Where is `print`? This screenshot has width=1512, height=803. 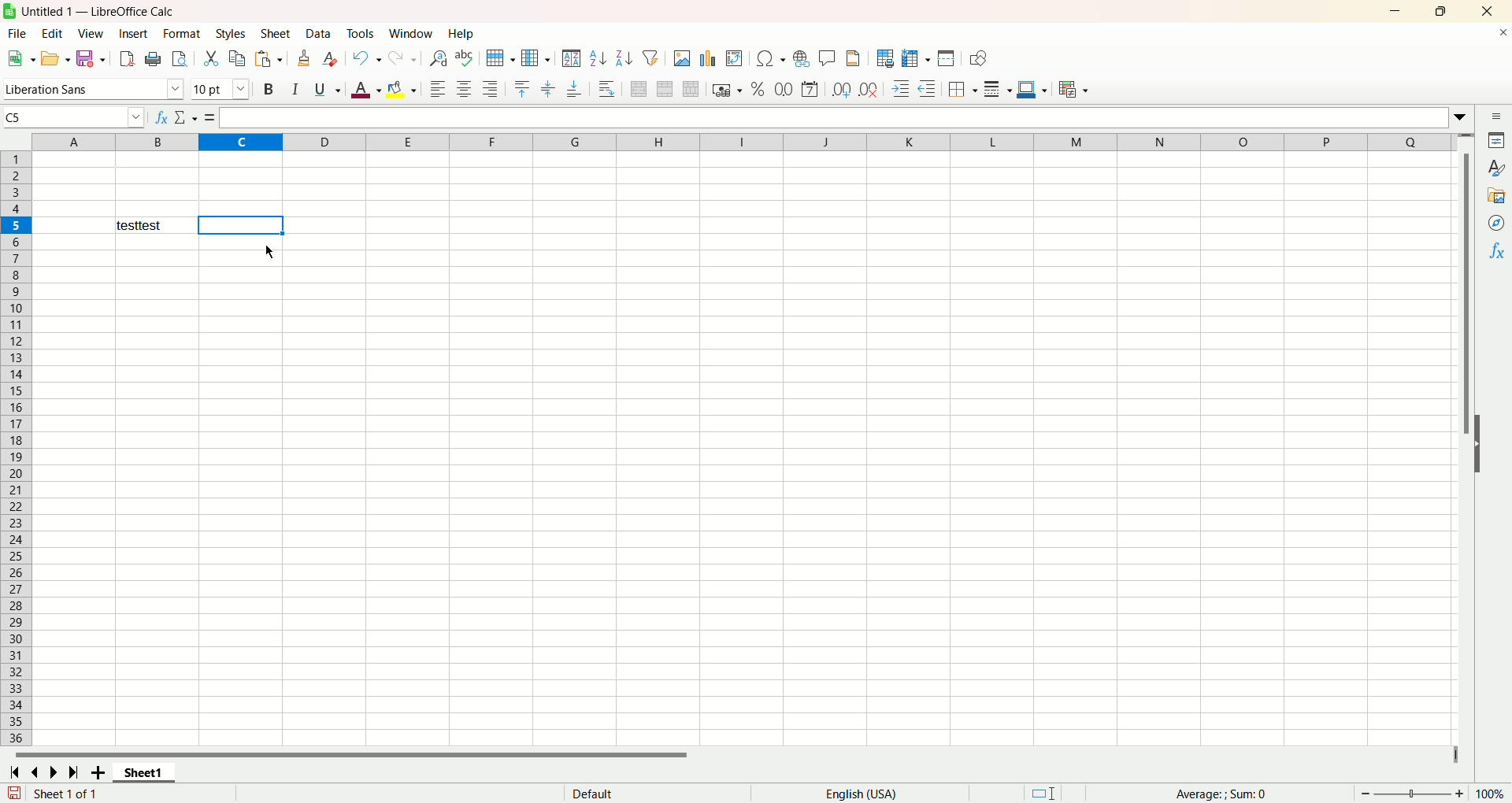
print is located at coordinates (154, 60).